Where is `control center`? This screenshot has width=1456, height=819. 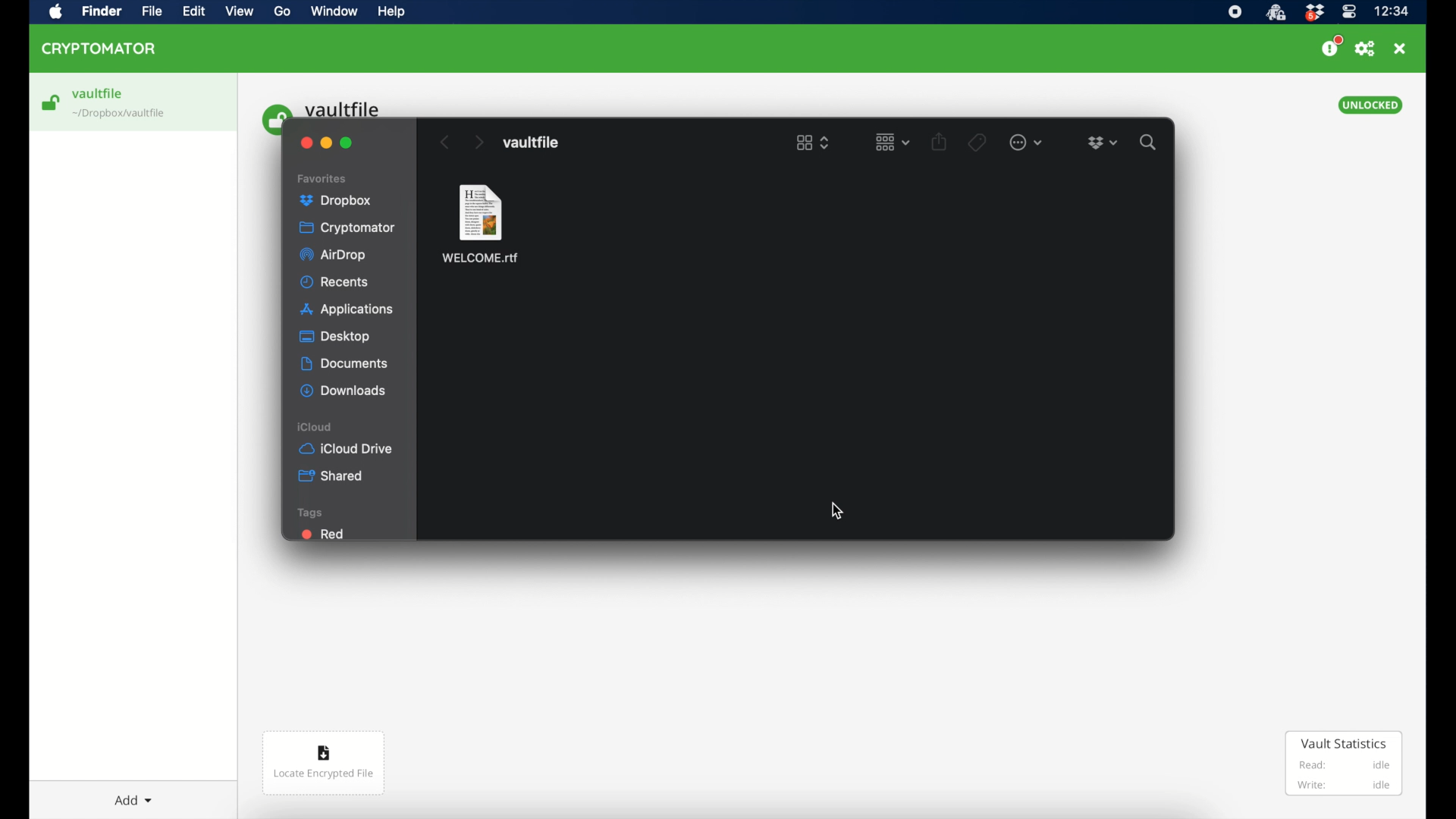
control center is located at coordinates (1348, 11).